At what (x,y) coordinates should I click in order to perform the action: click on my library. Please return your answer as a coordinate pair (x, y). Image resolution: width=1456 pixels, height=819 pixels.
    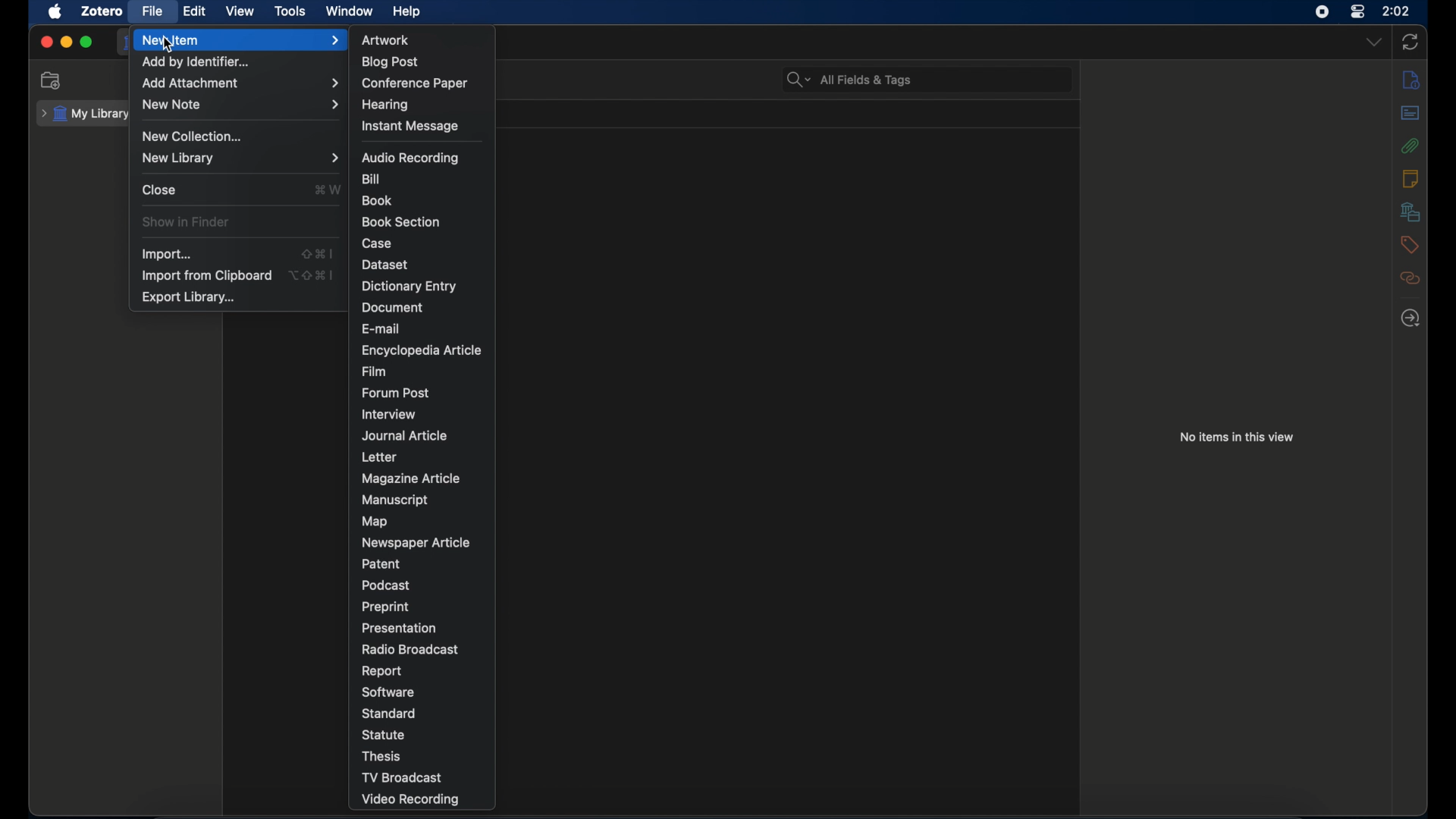
    Looking at the image, I should click on (88, 114).